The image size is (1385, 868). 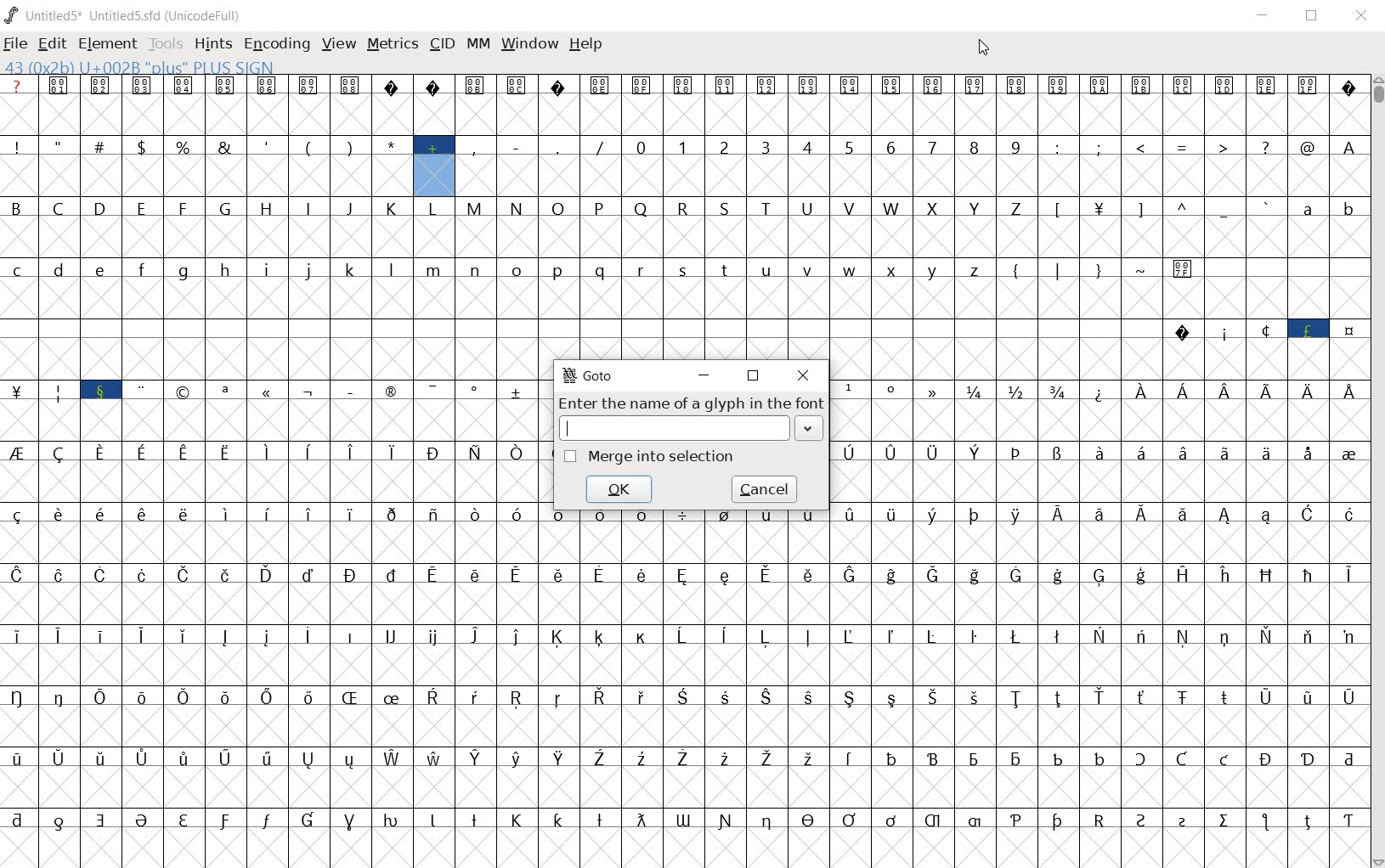 What do you see at coordinates (755, 377) in the screenshot?
I see `restore down` at bounding box center [755, 377].